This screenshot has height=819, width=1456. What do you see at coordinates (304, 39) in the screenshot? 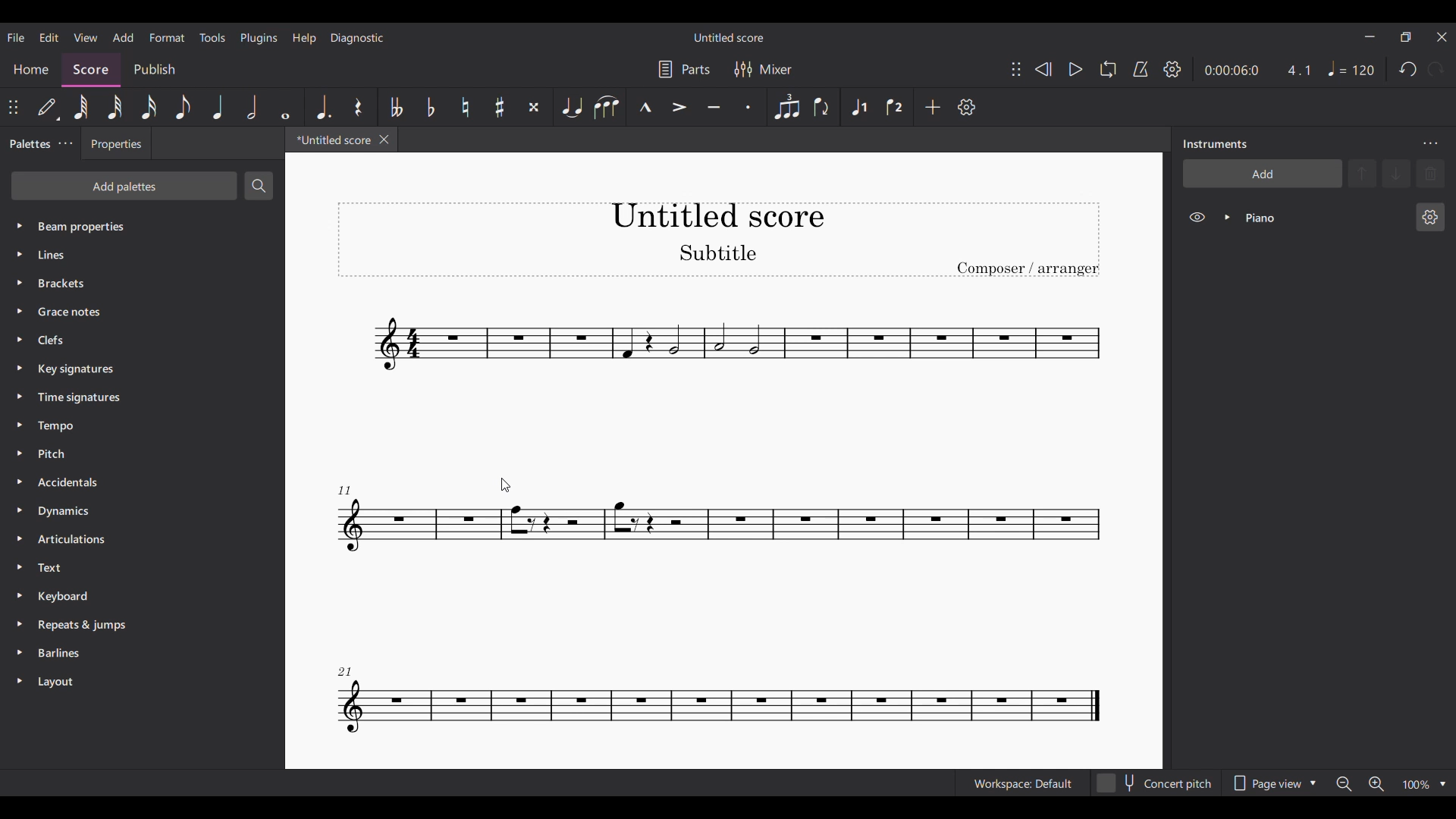
I see `Help menu` at bounding box center [304, 39].